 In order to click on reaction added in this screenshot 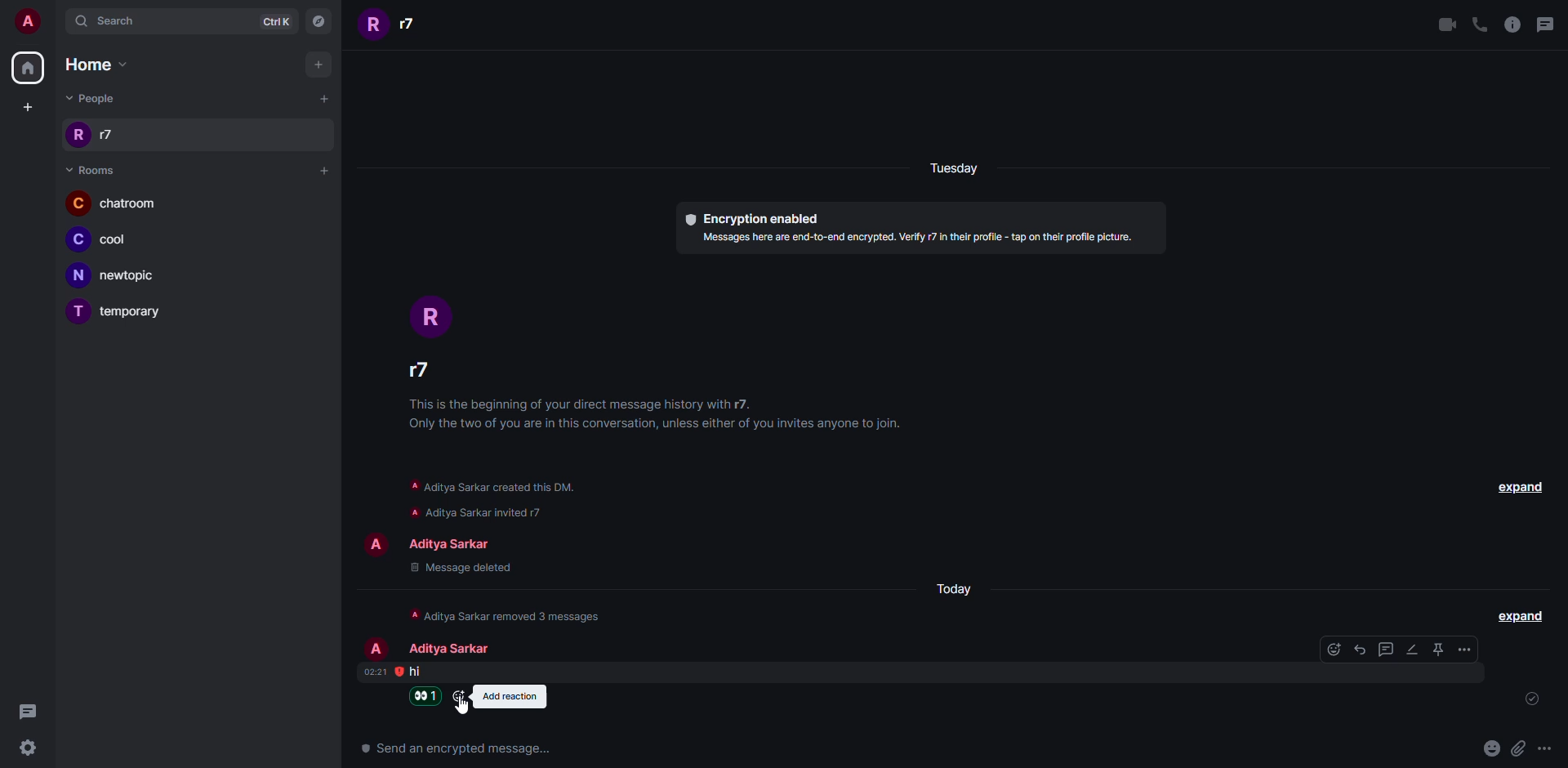, I will do `click(427, 695)`.